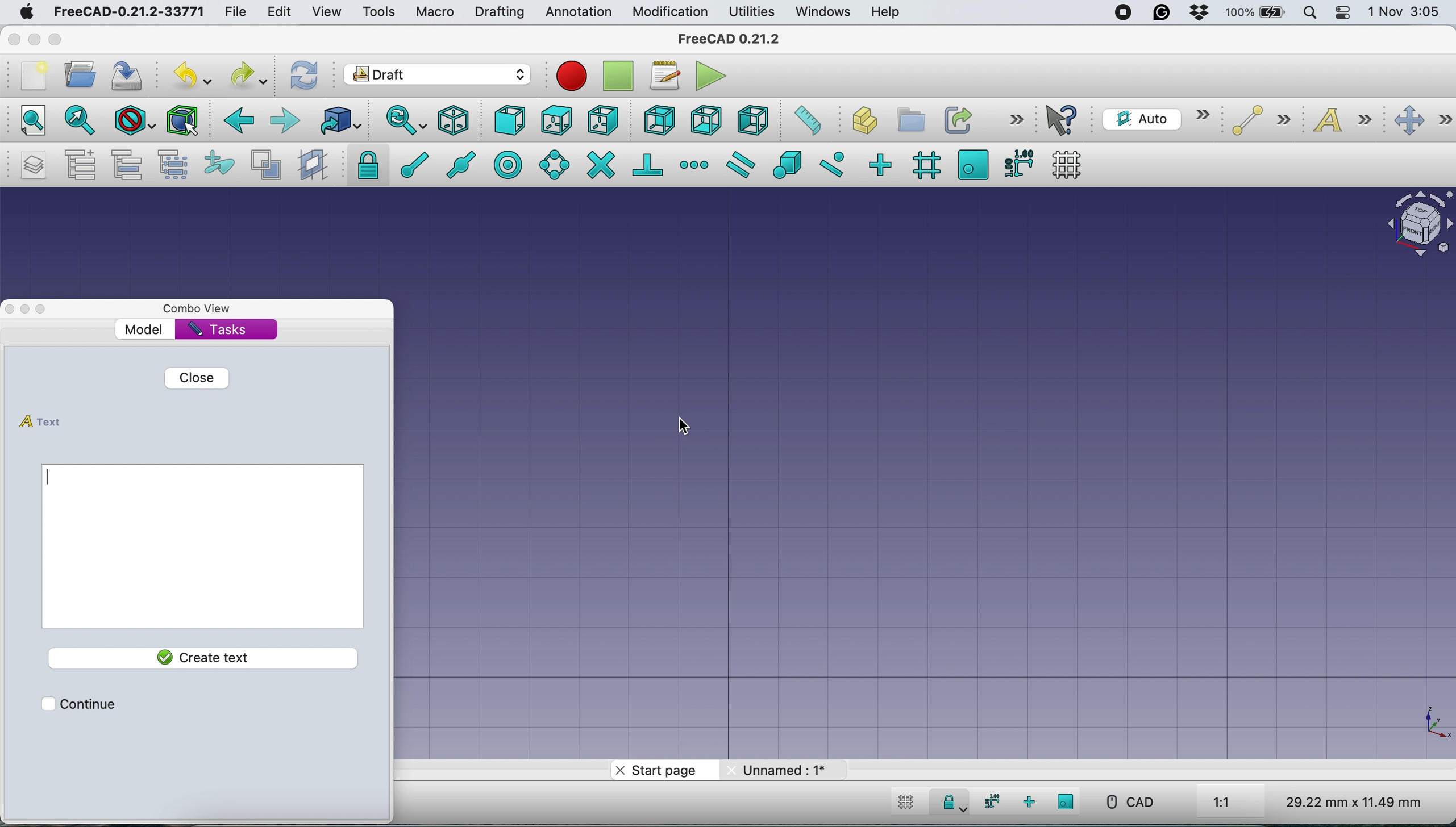 Image resolution: width=1456 pixels, height=827 pixels. I want to click on strop recording macros, so click(621, 75).